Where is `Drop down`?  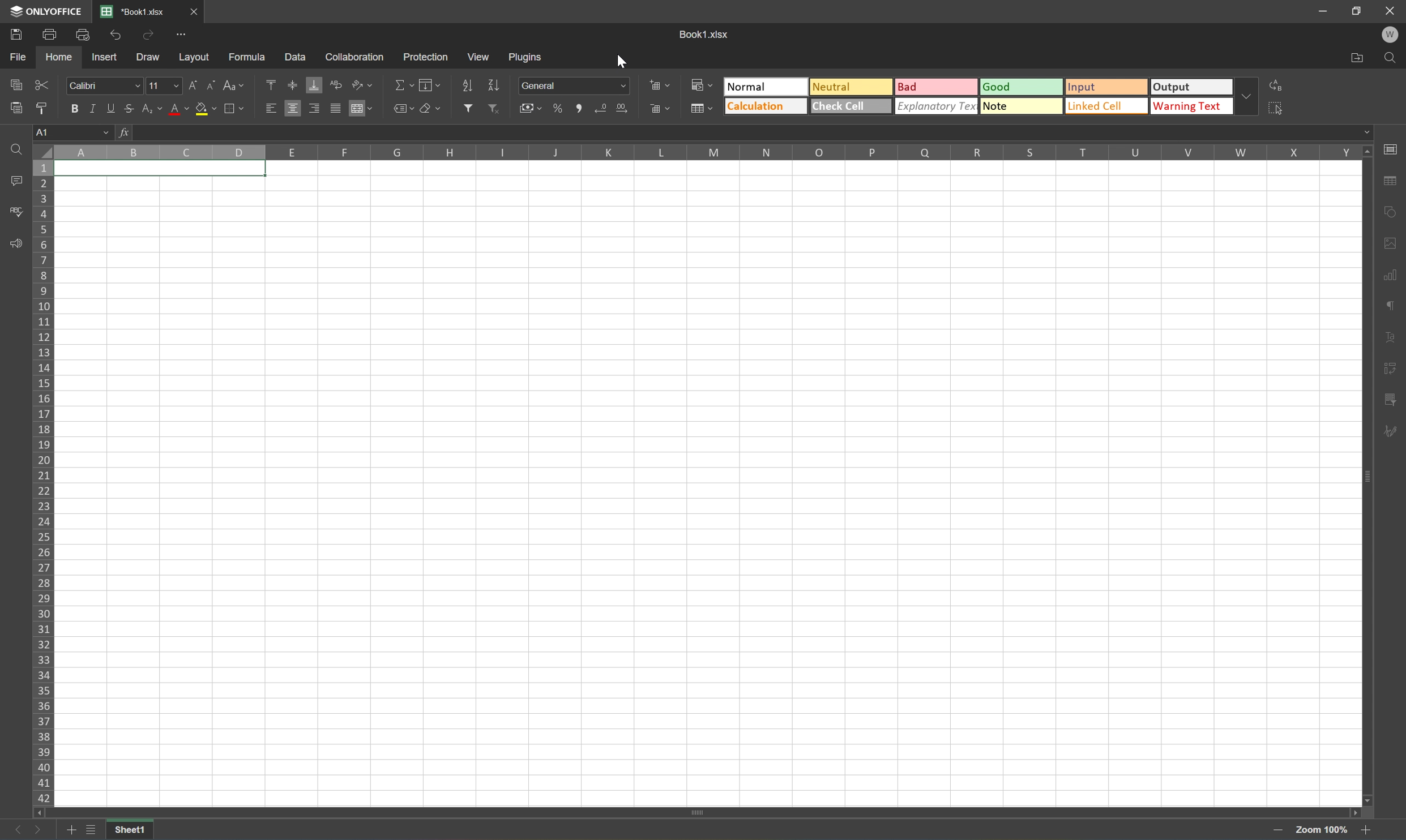
Drop down is located at coordinates (1251, 97).